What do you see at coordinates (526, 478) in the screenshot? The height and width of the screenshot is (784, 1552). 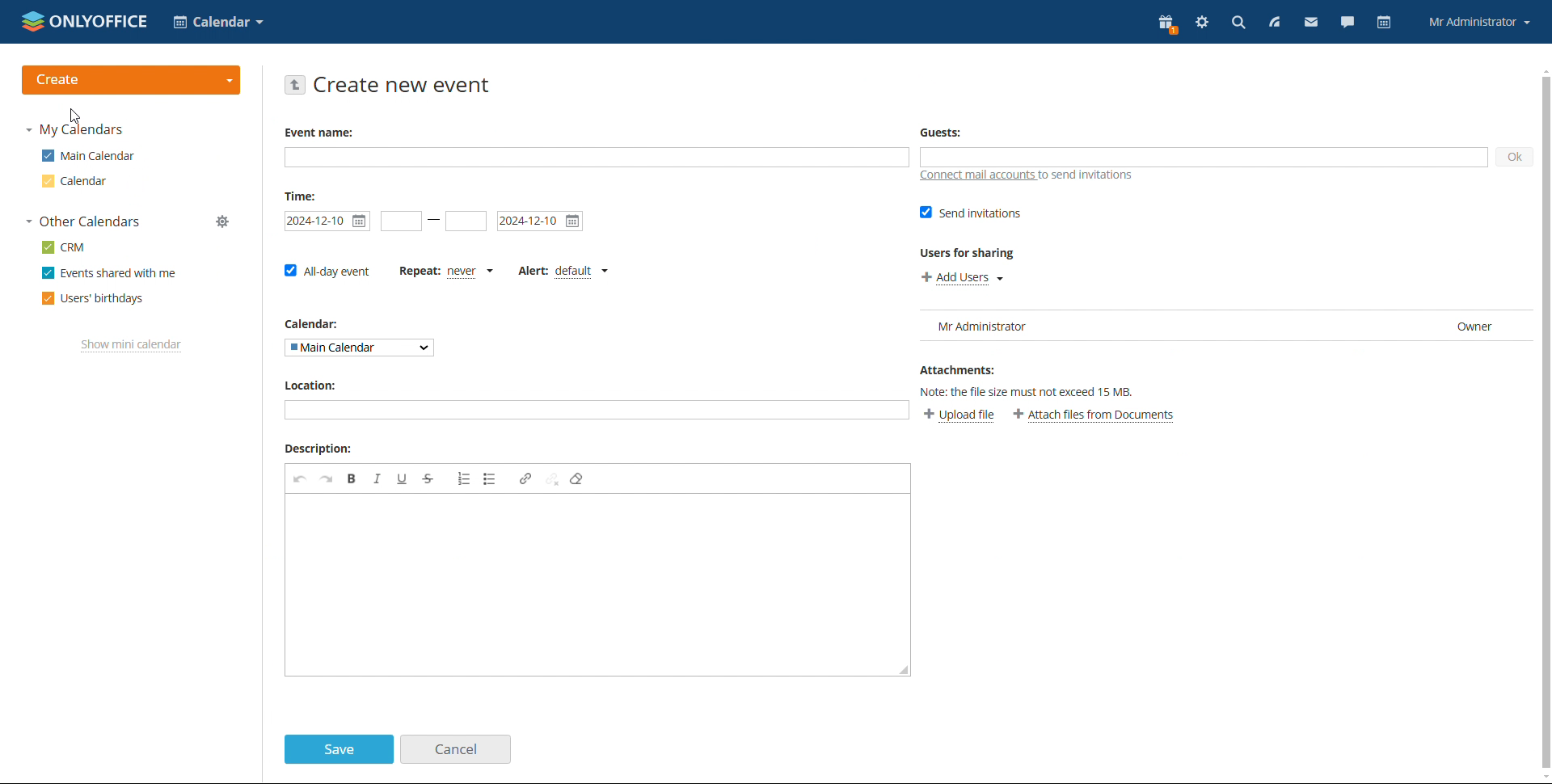 I see `link` at bounding box center [526, 478].